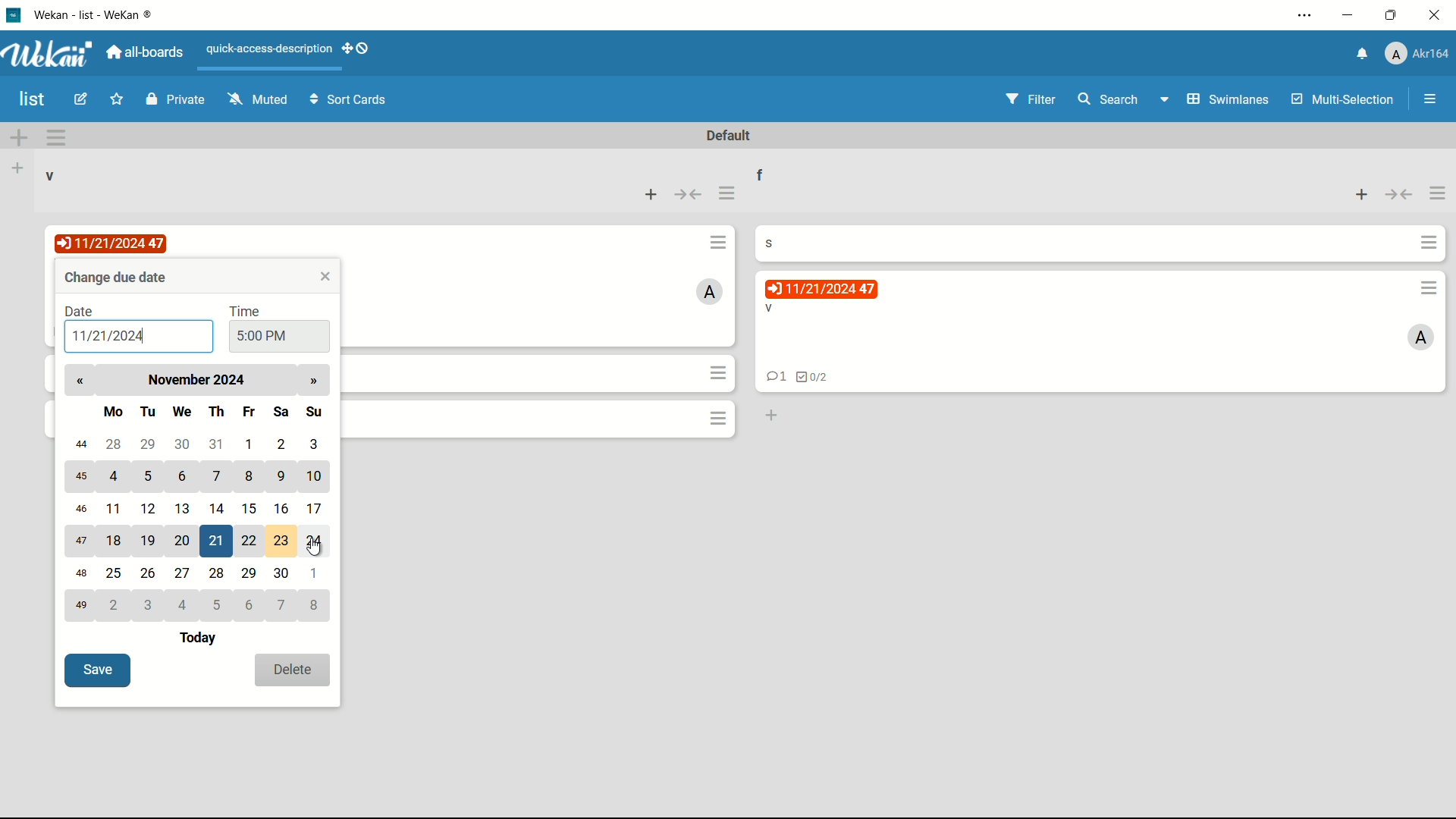 This screenshot has height=819, width=1456. Describe the element at coordinates (80, 381) in the screenshot. I see `previous month` at that location.